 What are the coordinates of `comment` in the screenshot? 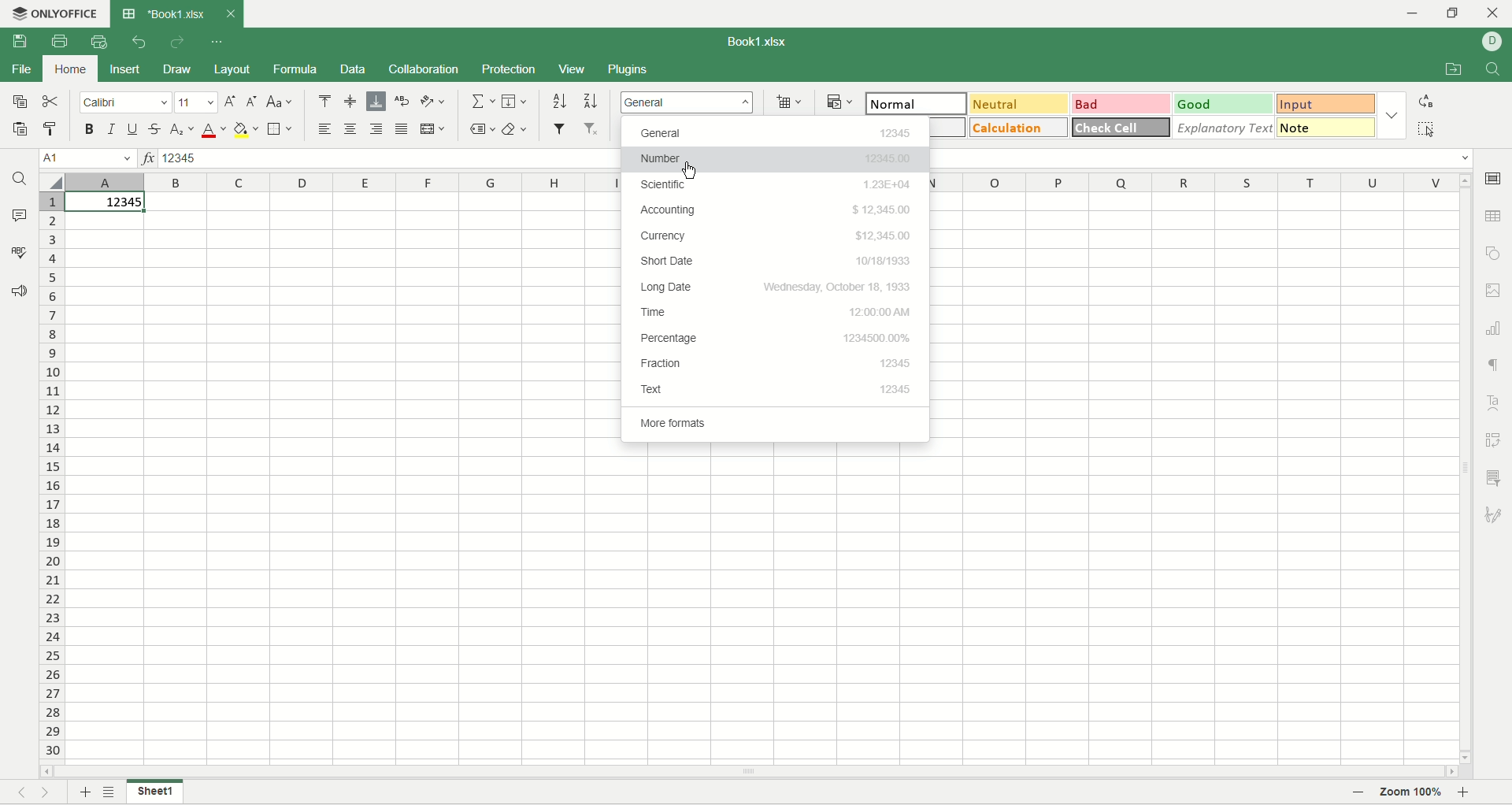 It's located at (20, 216).